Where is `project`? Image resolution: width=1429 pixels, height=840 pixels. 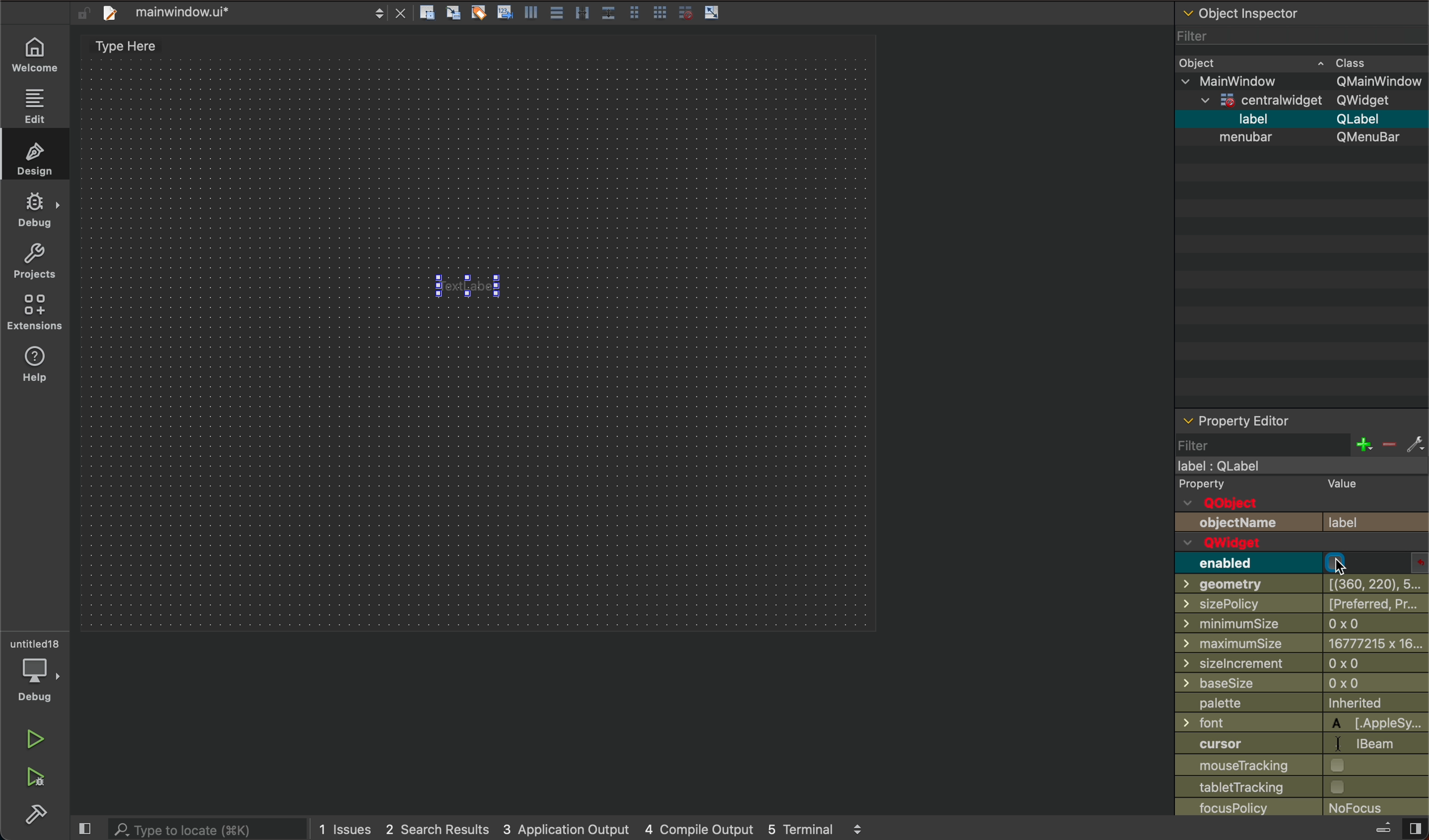
project is located at coordinates (34, 264).